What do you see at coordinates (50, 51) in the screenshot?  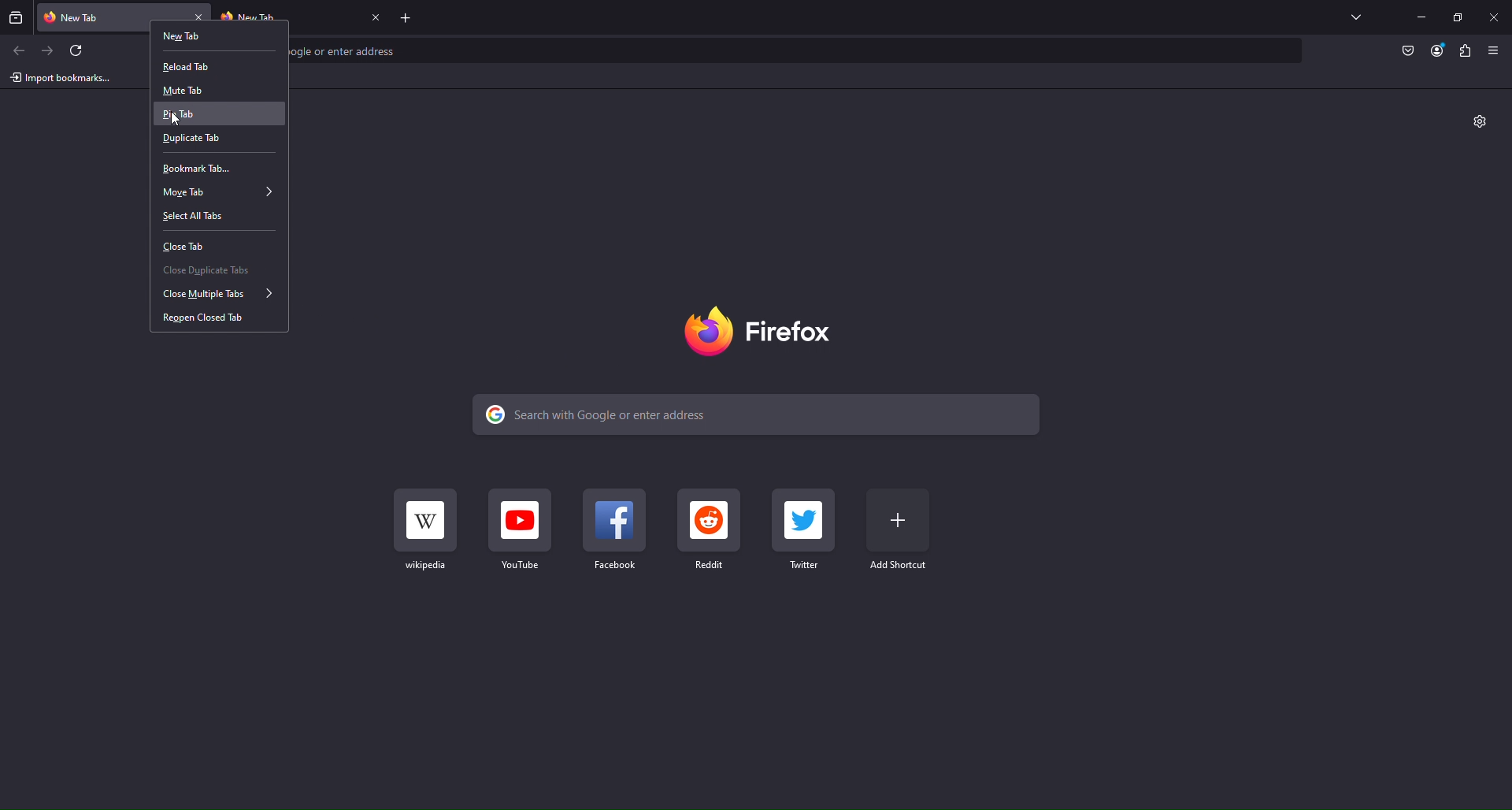 I see `Next` at bounding box center [50, 51].